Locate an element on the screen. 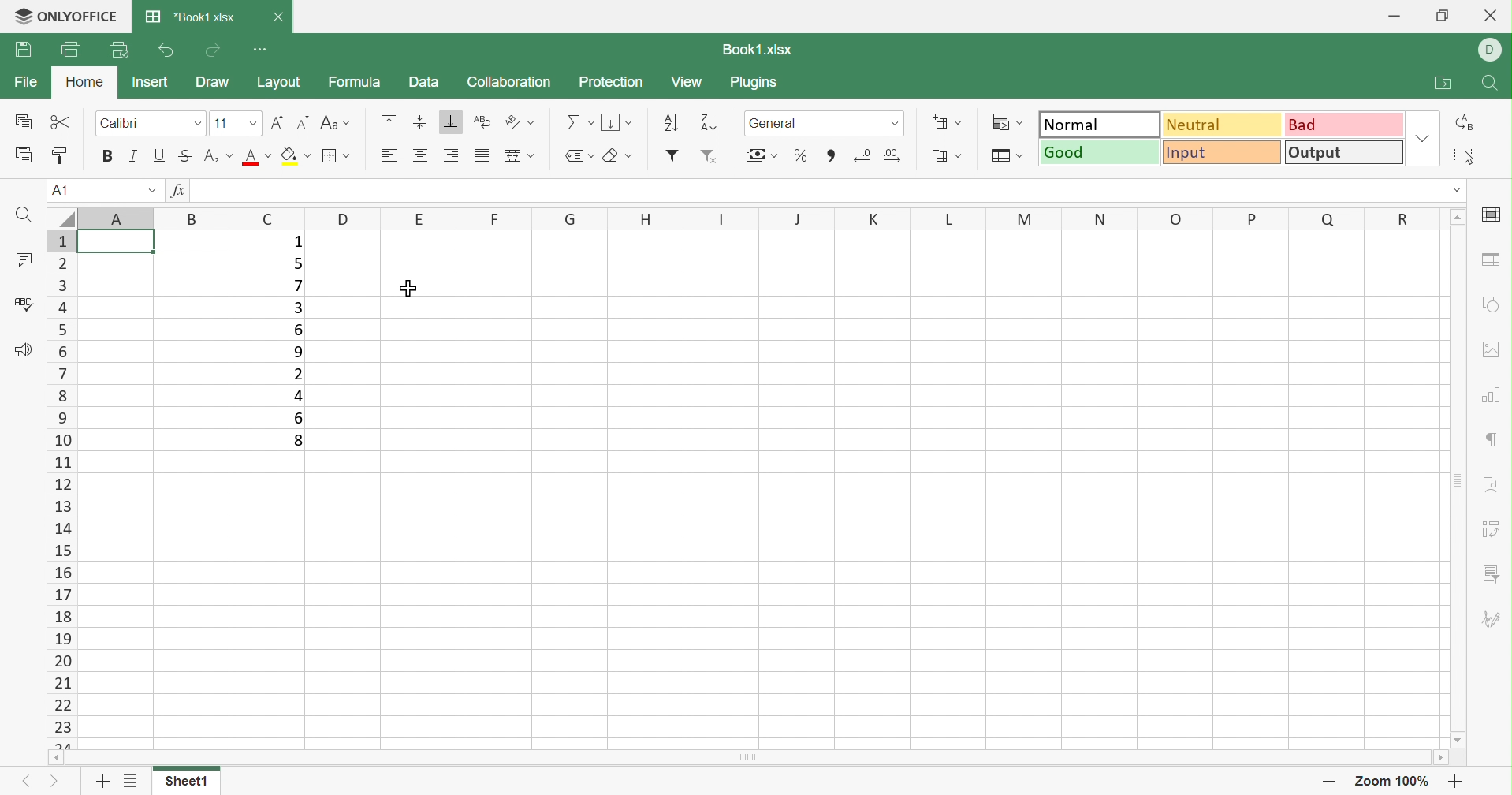 The height and width of the screenshot is (795, 1512). Insert cells is located at coordinates (948, 121).